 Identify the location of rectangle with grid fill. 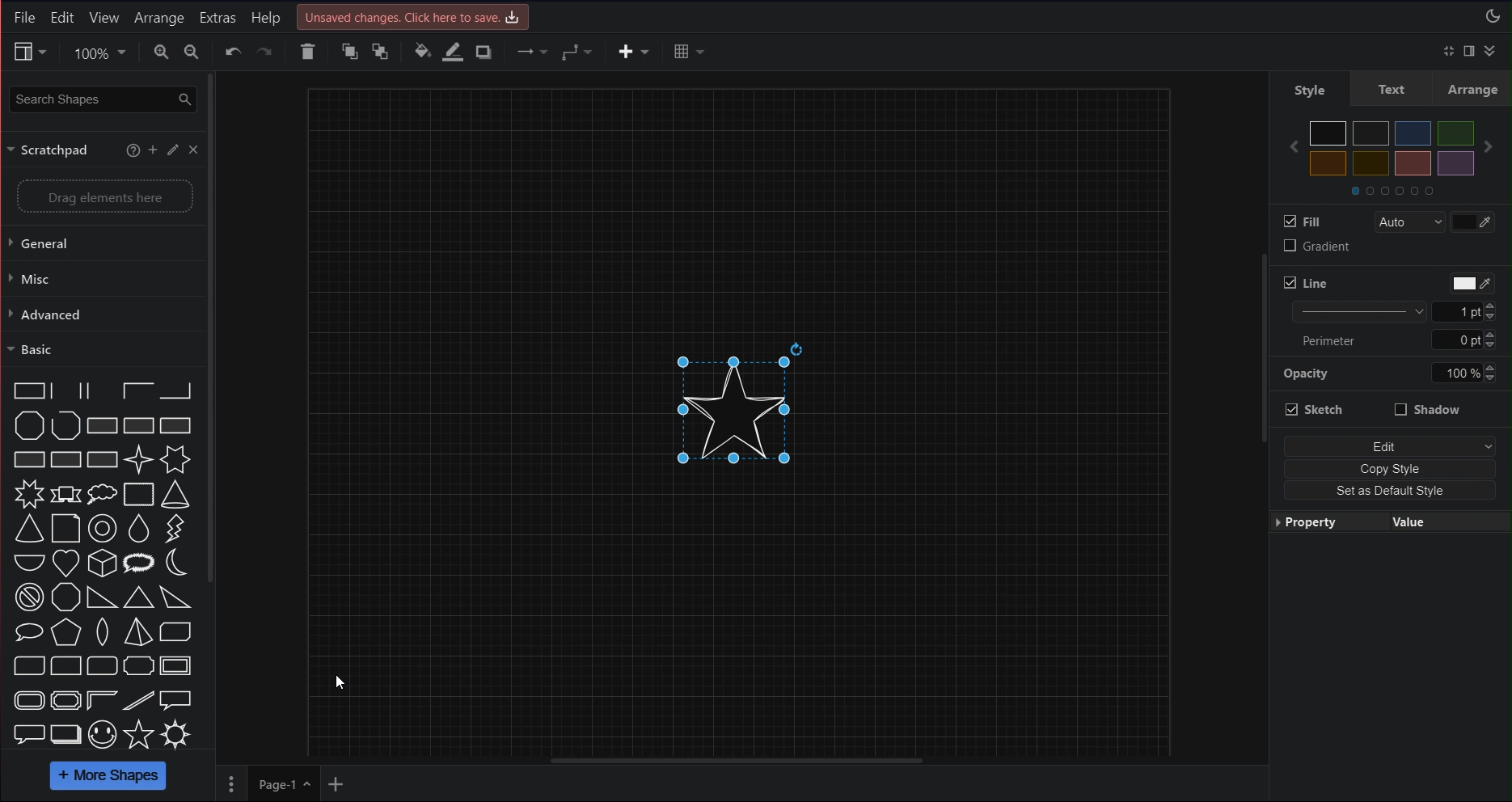
(66, 459).